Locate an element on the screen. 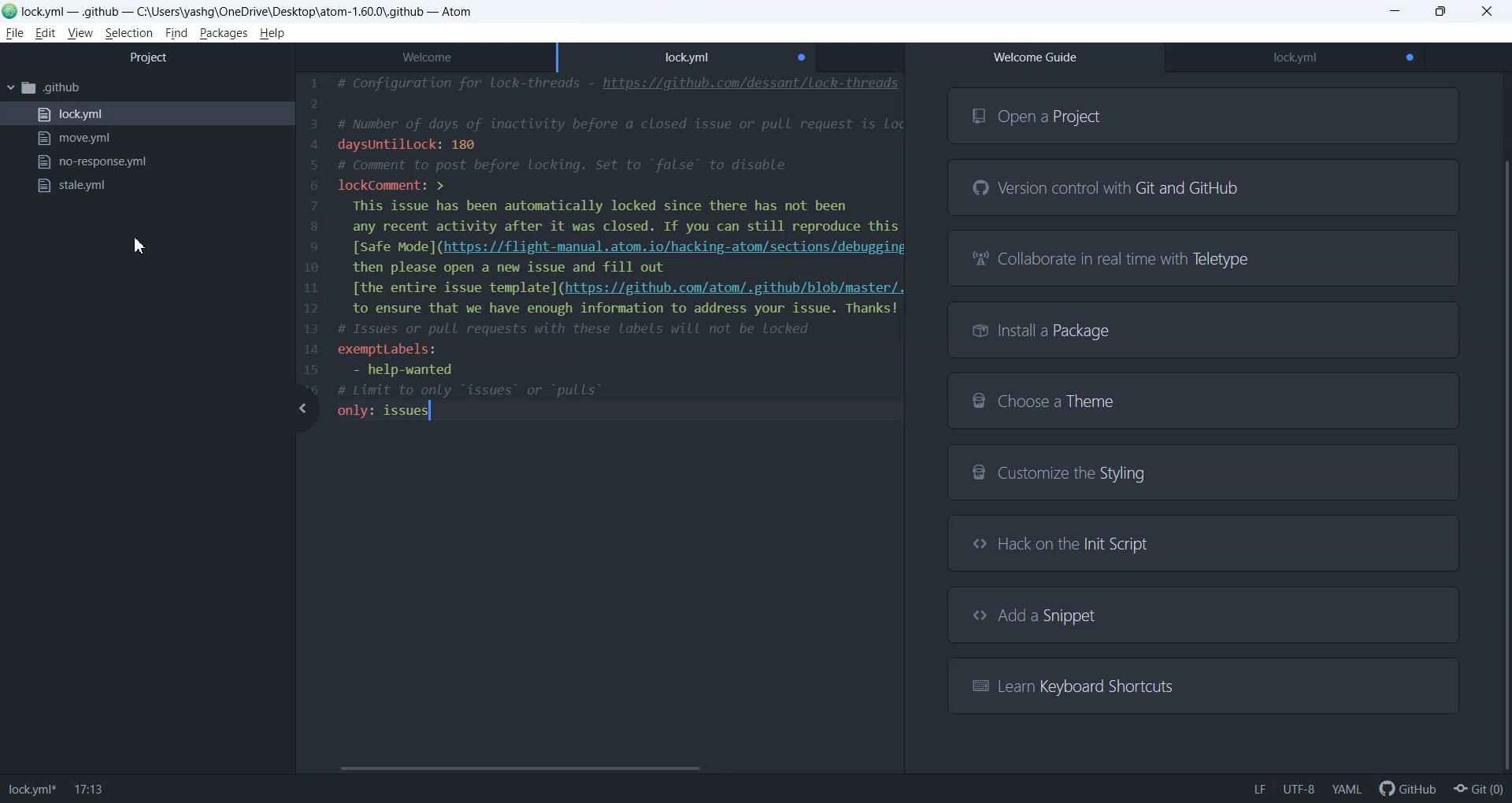 This screenshot has width=1512, height=803. View is located at coordinates (80, 32).